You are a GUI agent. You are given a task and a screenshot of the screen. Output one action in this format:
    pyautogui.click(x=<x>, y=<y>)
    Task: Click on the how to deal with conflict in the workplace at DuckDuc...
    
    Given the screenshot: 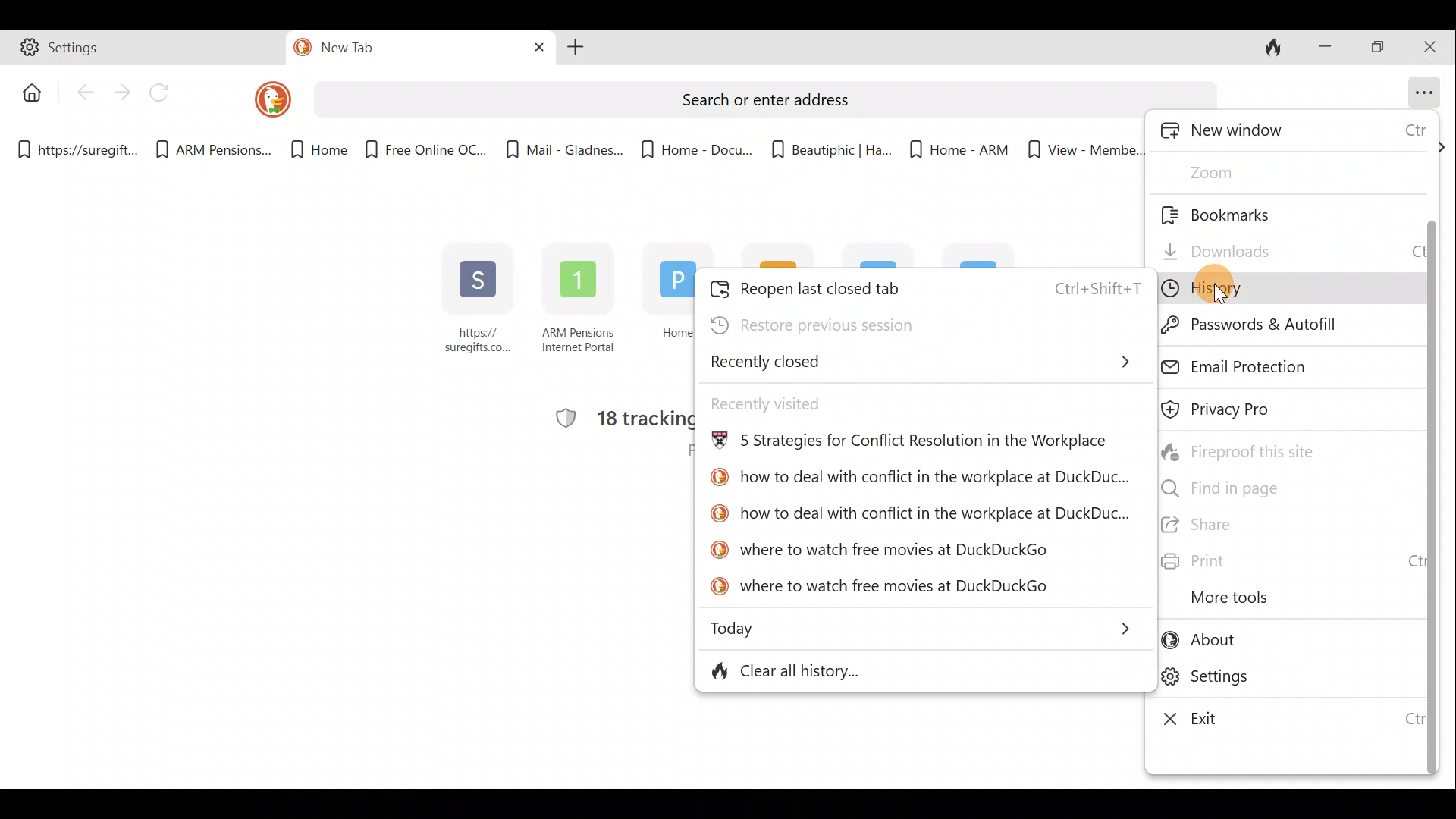 What is the action you would take?
    pyautogui.click(x=919, y=513)
    